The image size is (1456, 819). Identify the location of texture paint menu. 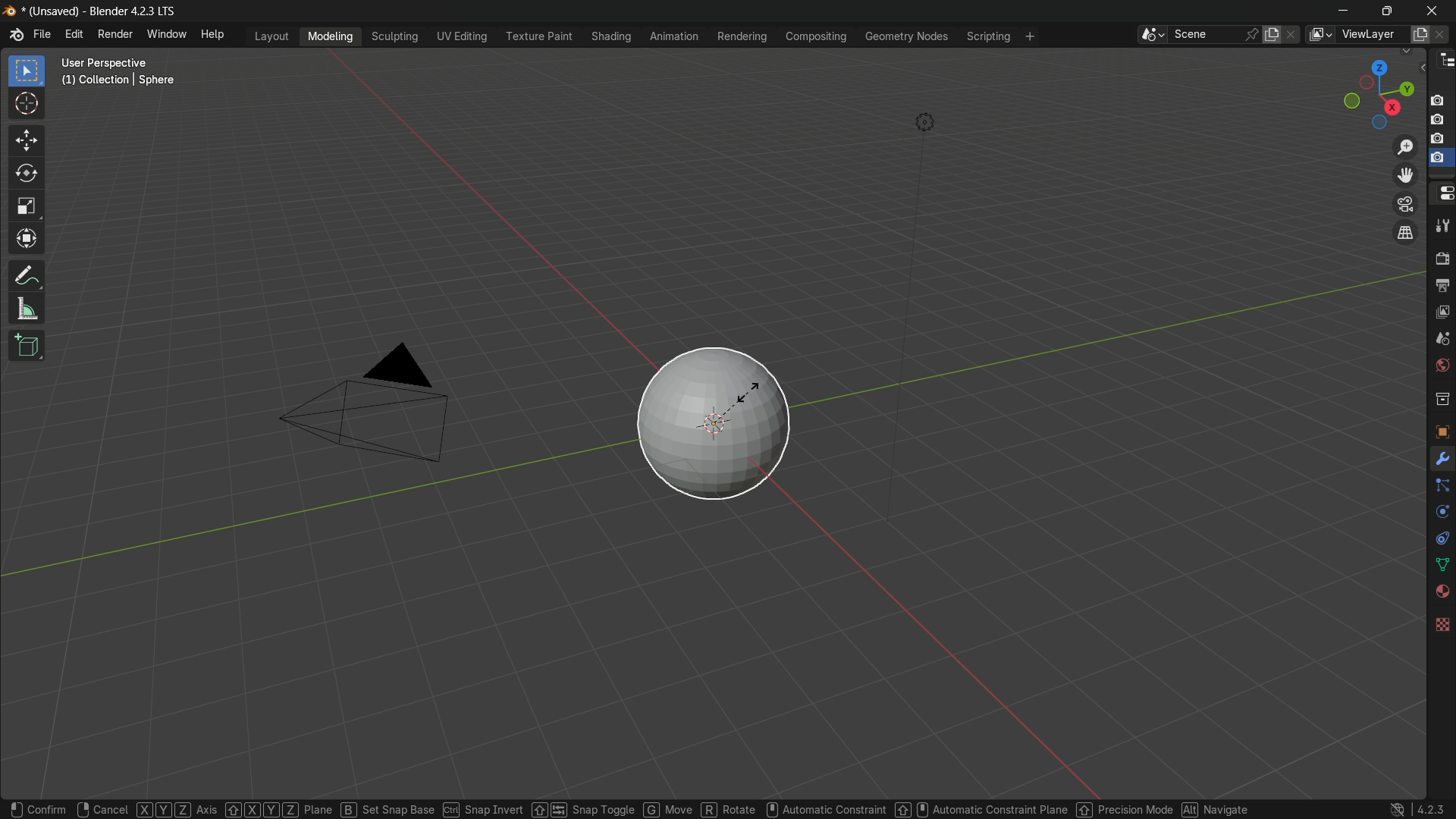
(538, 36).